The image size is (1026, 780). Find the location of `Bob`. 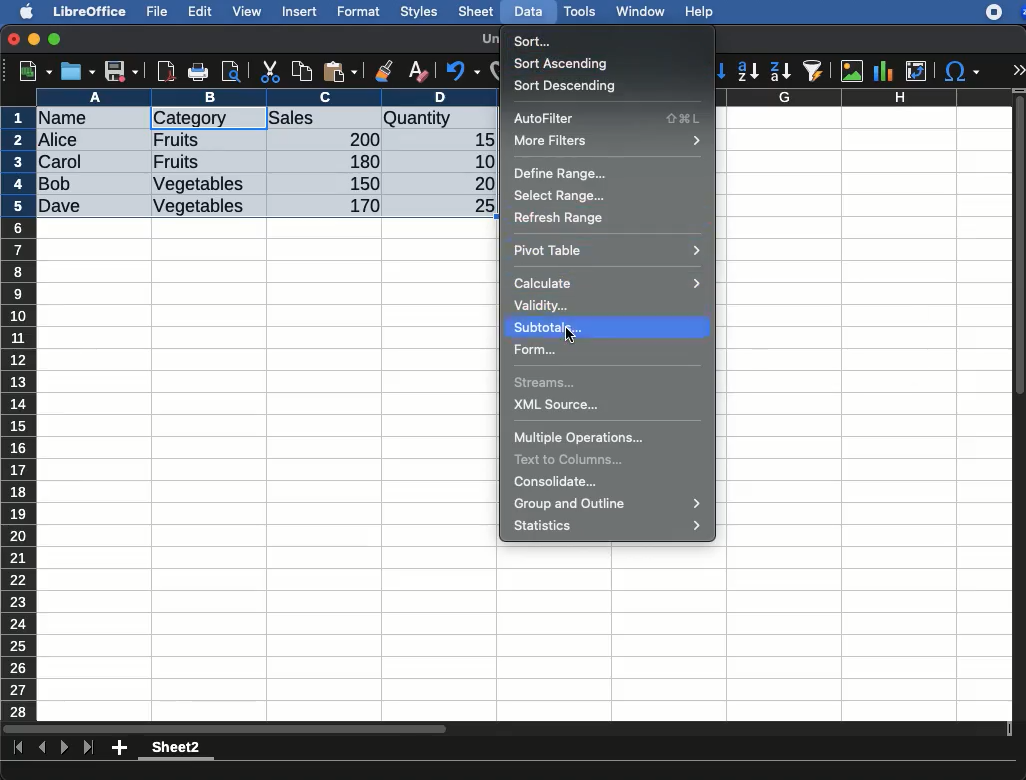

Bob is located at coordinates (56, 185).